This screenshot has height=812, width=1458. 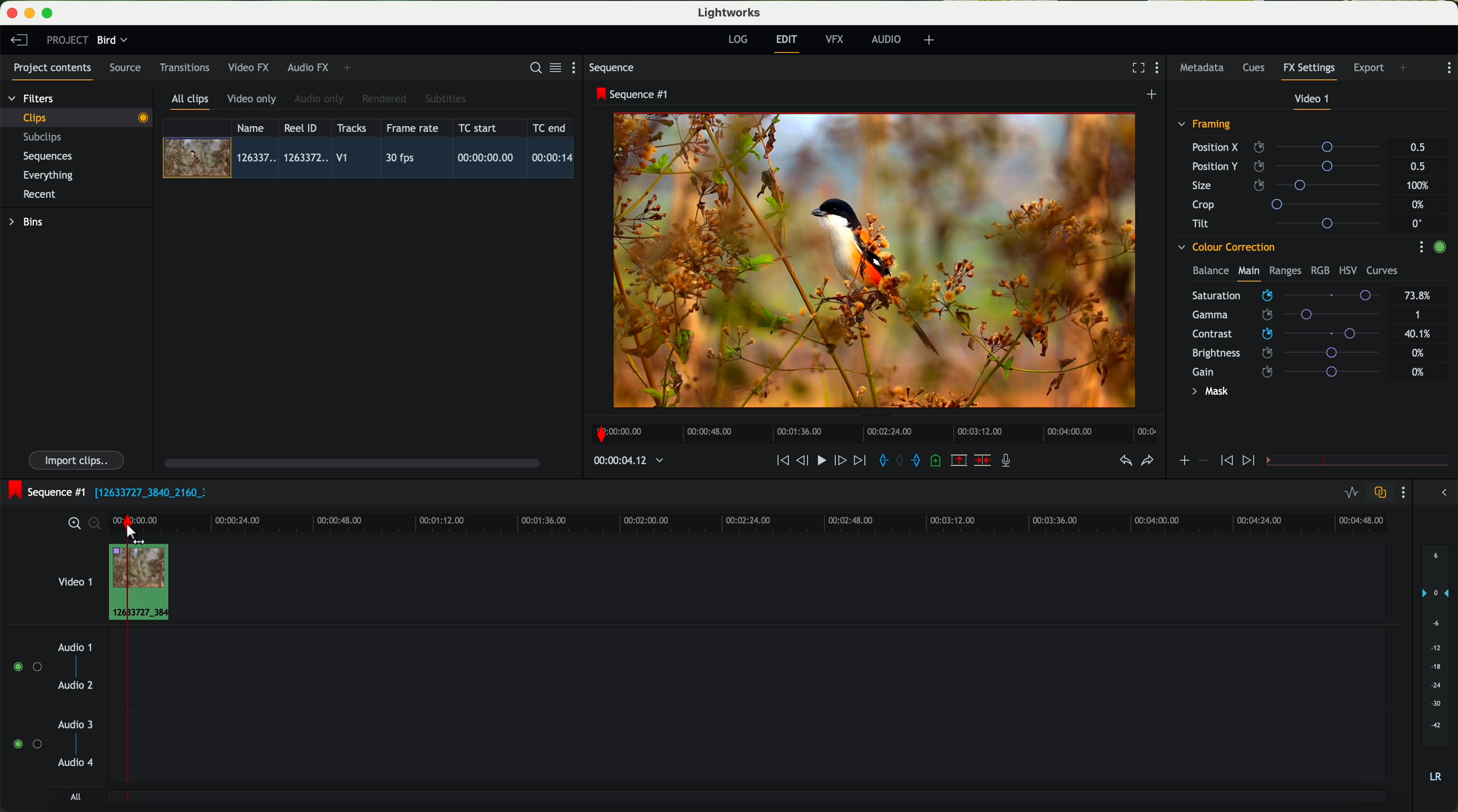 What do you see at coordinates (1204, 68) in the screenshot?
I see `metadata` at bounding box center [1204, 68].